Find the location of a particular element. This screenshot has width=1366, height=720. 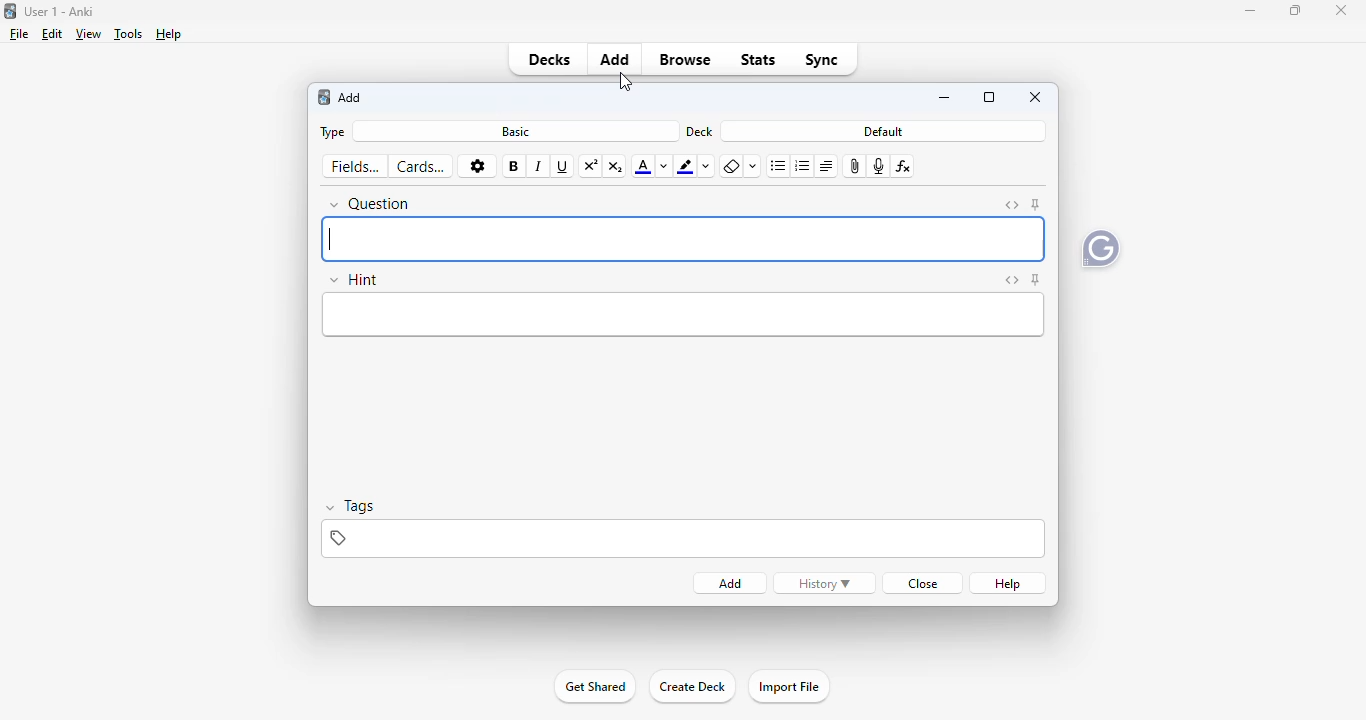

alignment is located at coordinates (827, 166).